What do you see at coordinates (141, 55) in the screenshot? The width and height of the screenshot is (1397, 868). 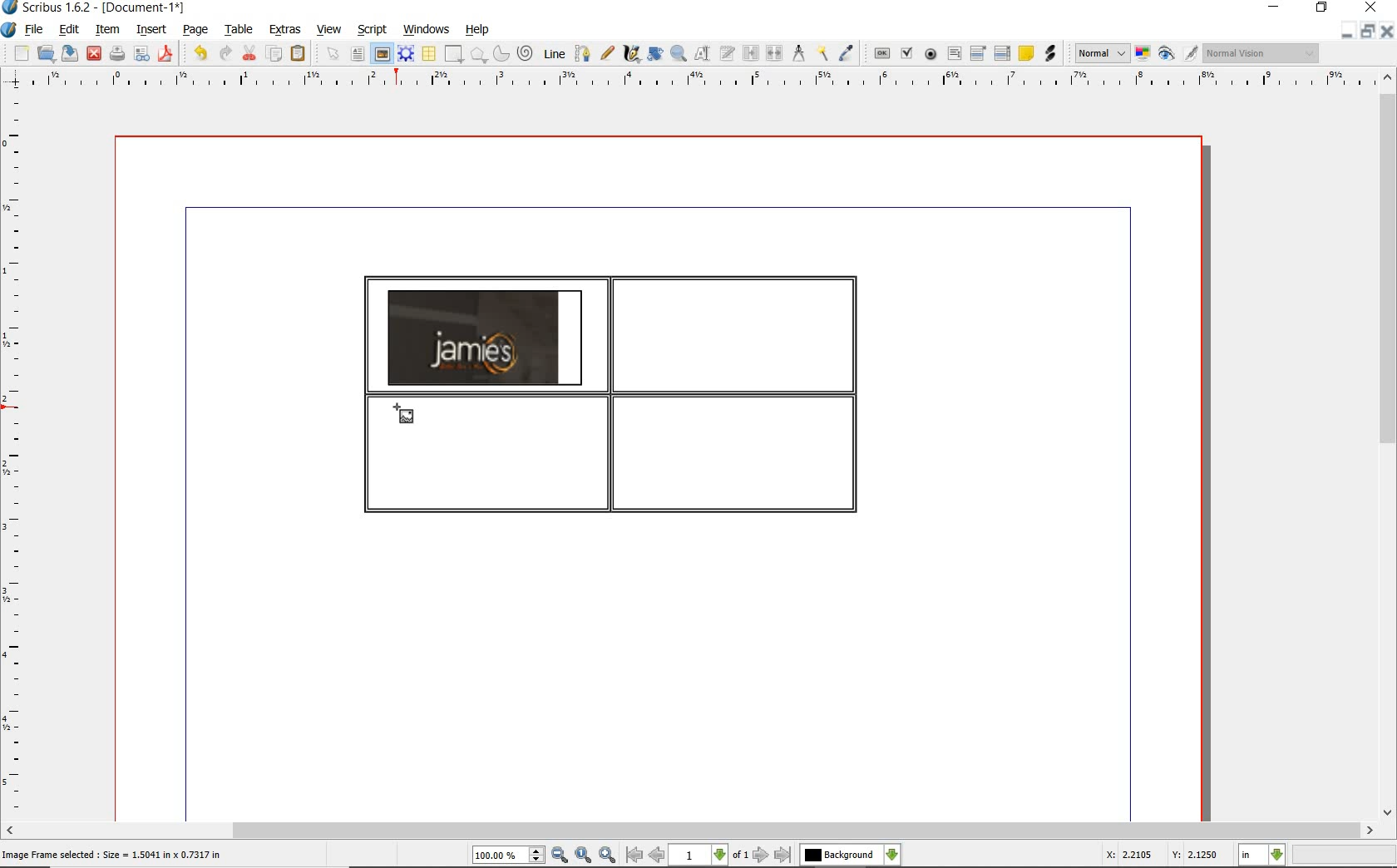 I see `preflight verifier` at bounding box center [141, 55].